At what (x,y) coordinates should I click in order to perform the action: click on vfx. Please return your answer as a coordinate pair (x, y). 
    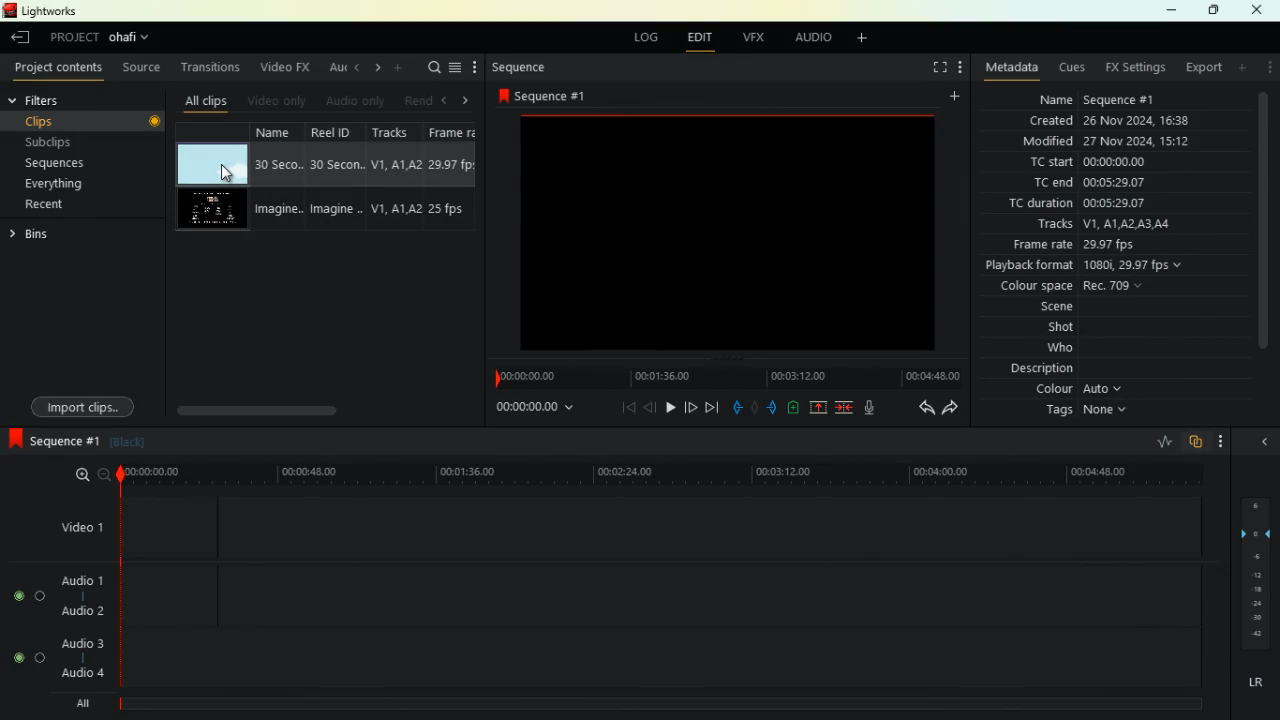
    Looking at the image, I should click on (755, 38).